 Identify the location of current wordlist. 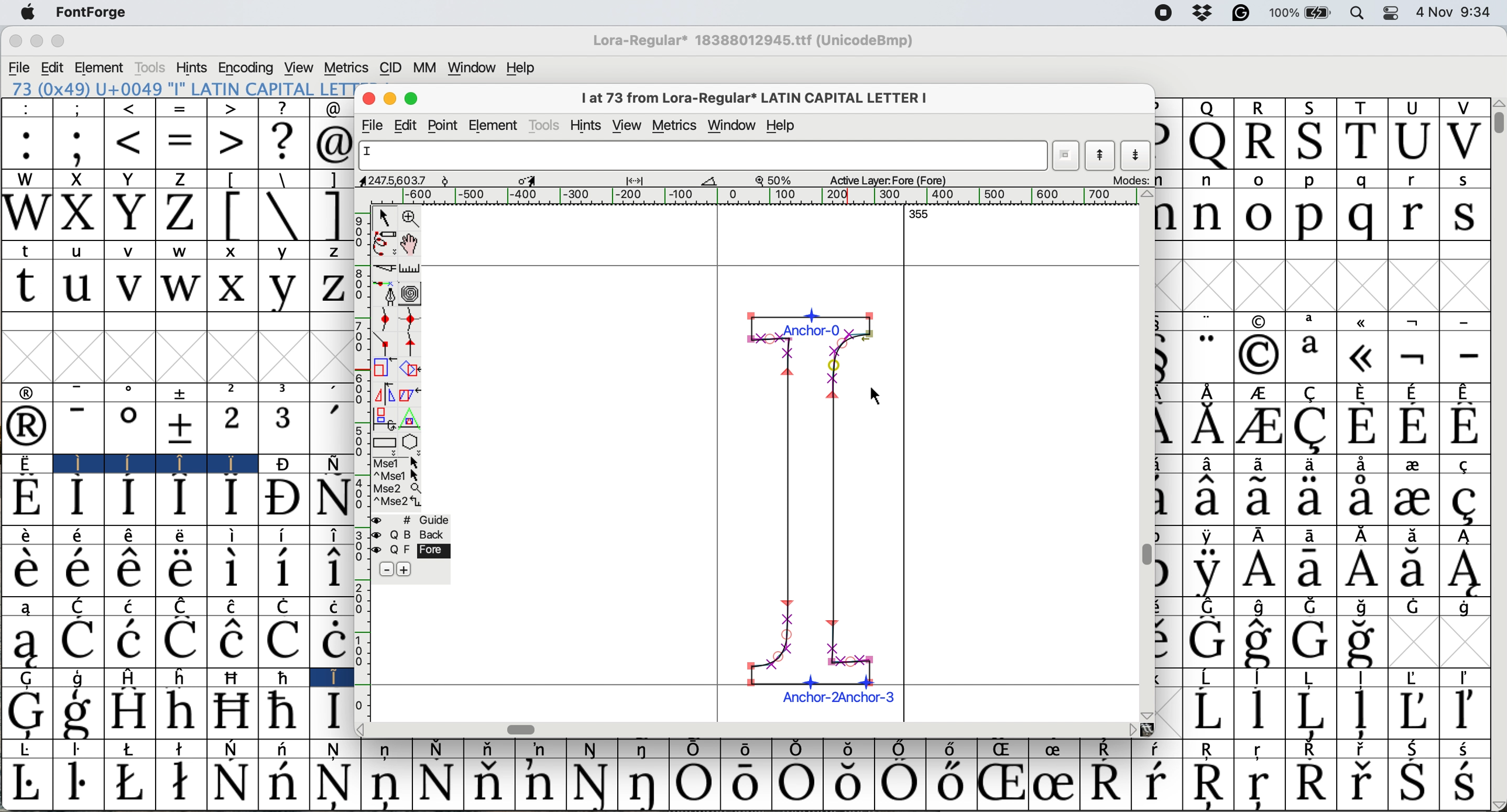
(1067, 156).